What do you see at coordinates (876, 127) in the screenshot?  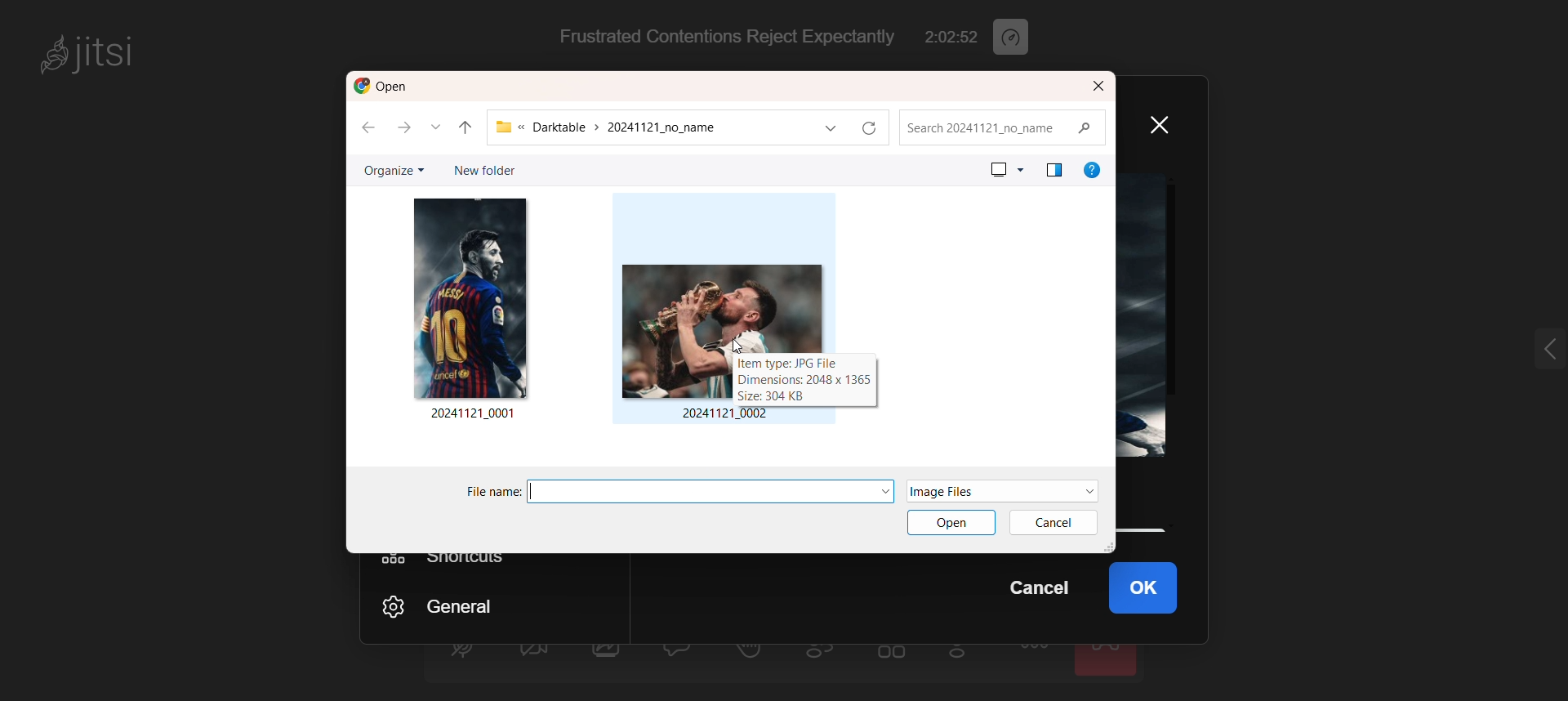 I see `reload` at bounding box center [876, 127].